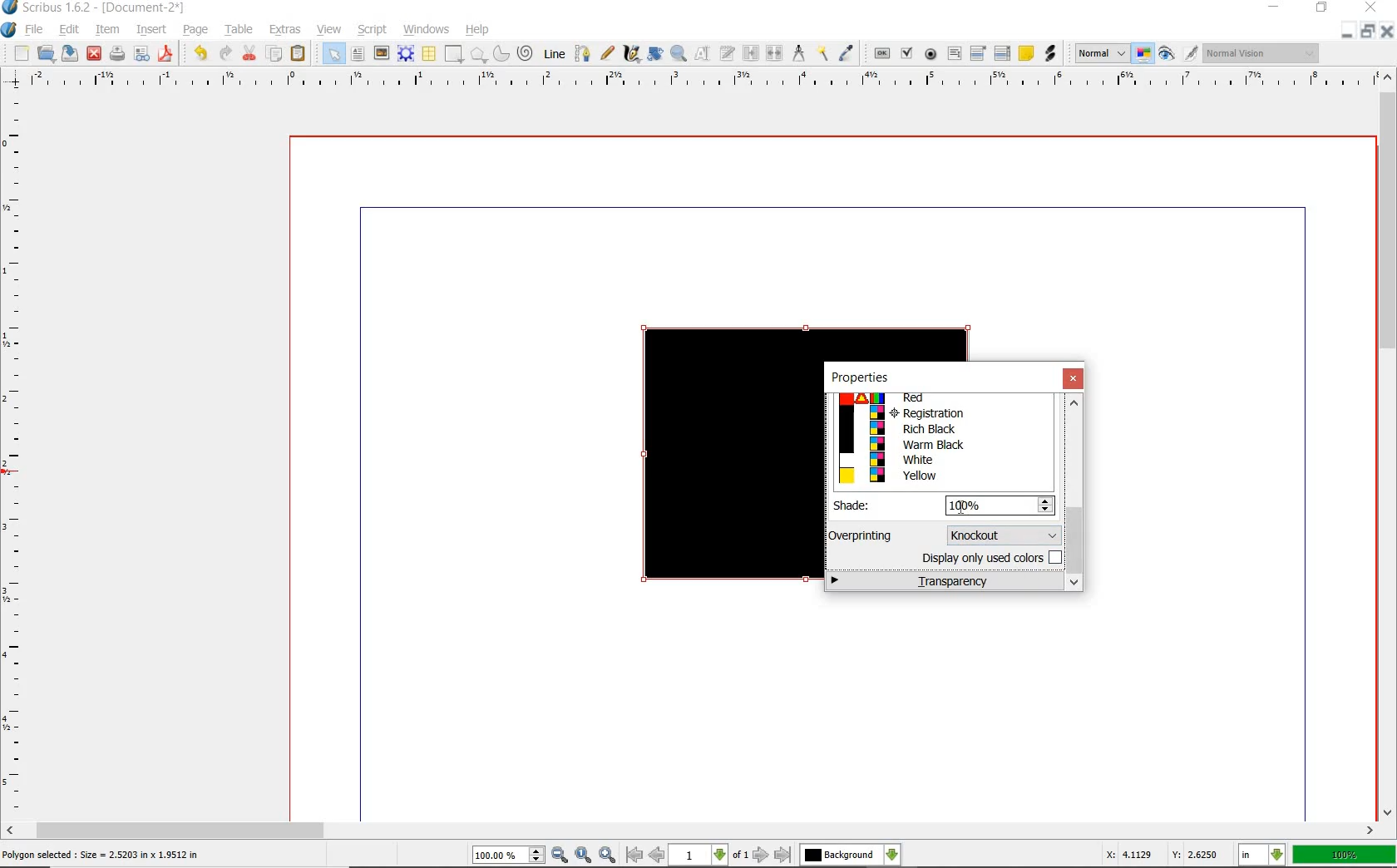 Image resolution: width=1397 pixels, height=868 pixels. What do you see at coordinates (249, 55) in the screenshot?
I see `cut` at bounding box center [249, 55].